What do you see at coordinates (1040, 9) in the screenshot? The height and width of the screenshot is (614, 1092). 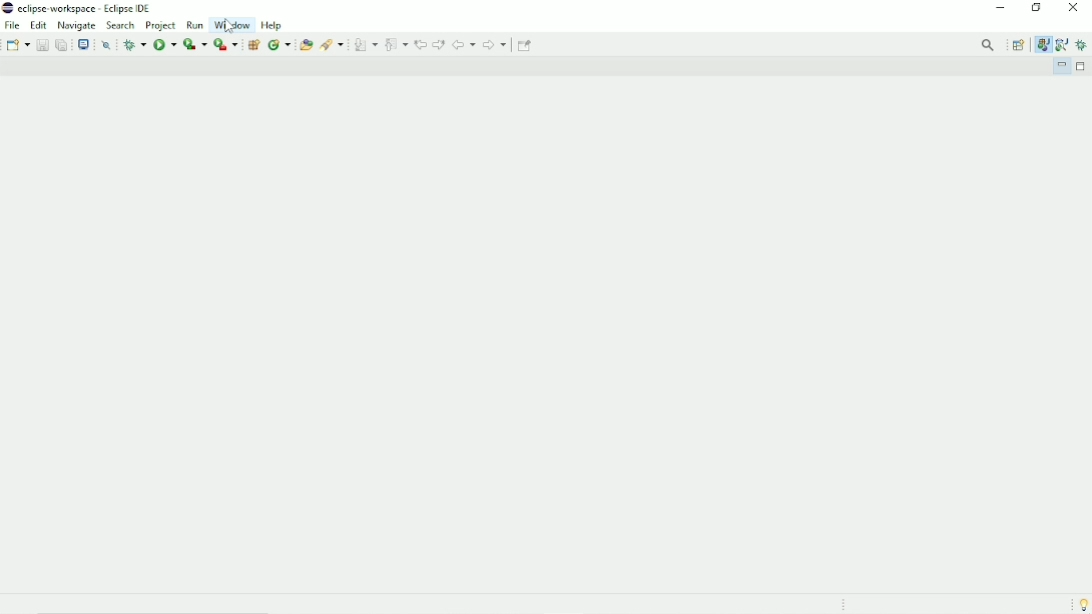 I see `Restore` at bounding box center [1040, 9].